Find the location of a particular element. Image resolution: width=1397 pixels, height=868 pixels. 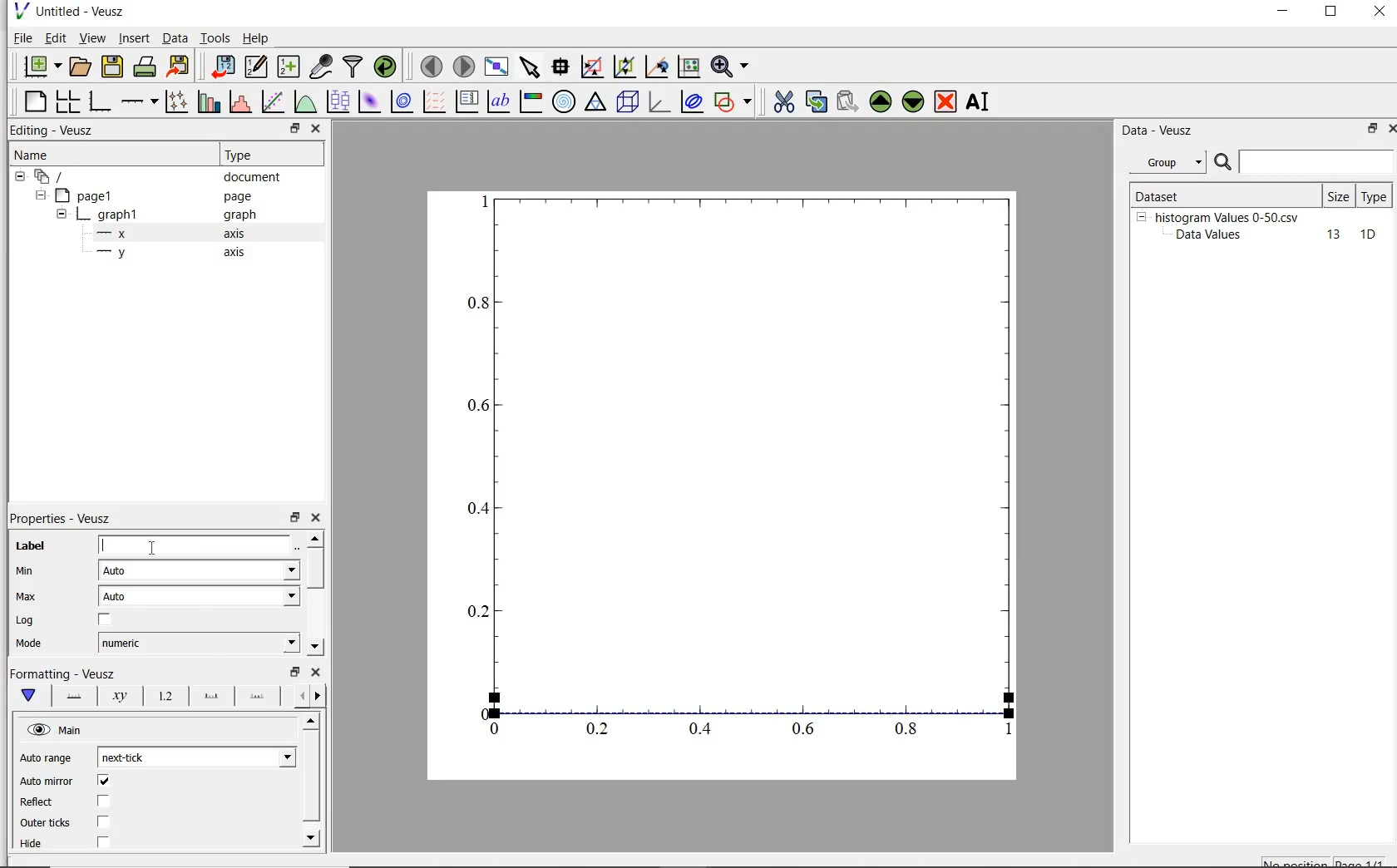

text label is located at coordinates (501, 100).